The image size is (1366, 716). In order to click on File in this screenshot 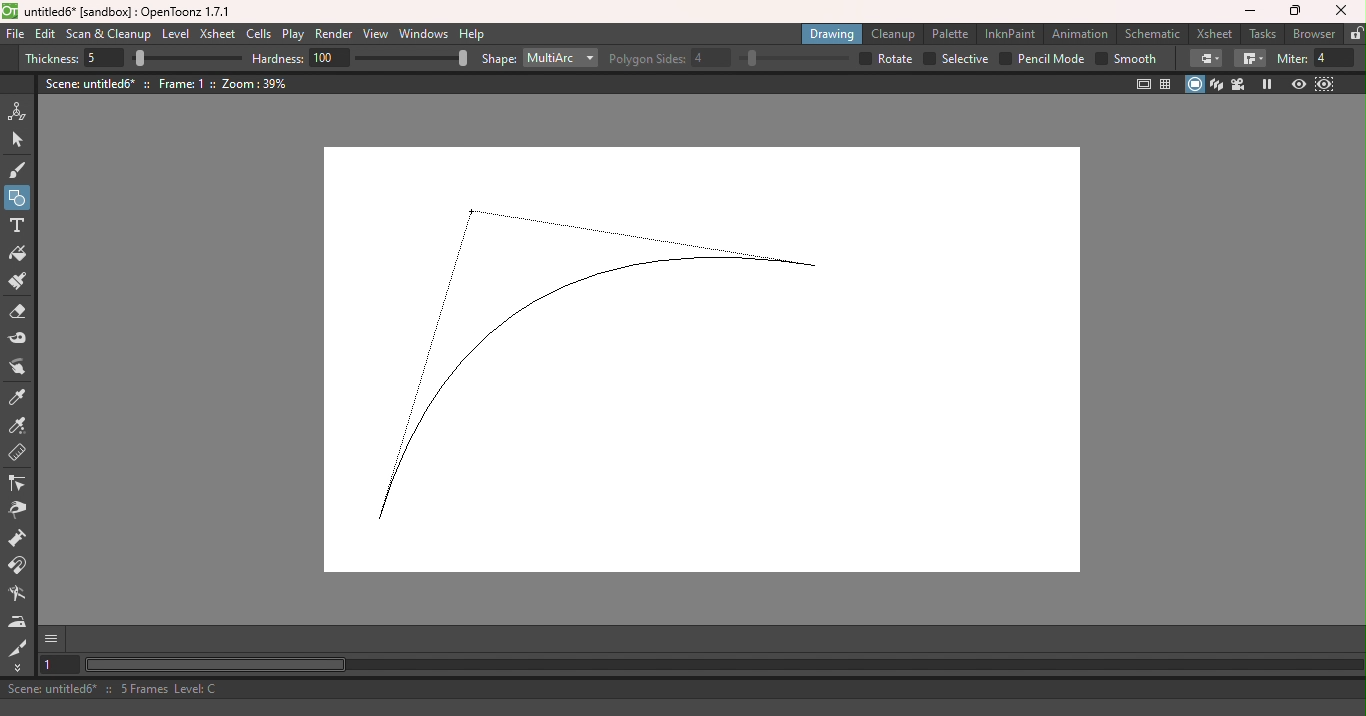, I will do `click(15, 35)`.